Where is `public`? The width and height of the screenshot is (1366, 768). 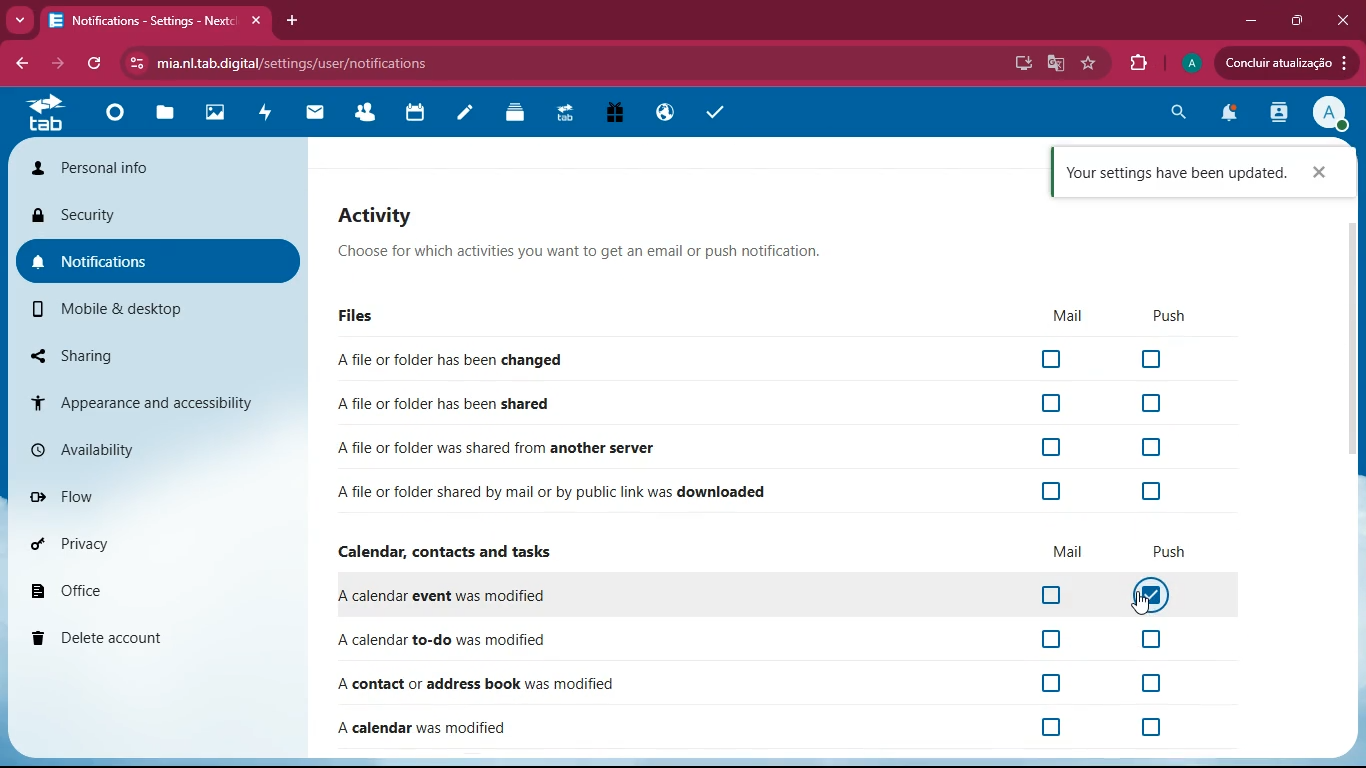
public is located at coordinates (665, 110).